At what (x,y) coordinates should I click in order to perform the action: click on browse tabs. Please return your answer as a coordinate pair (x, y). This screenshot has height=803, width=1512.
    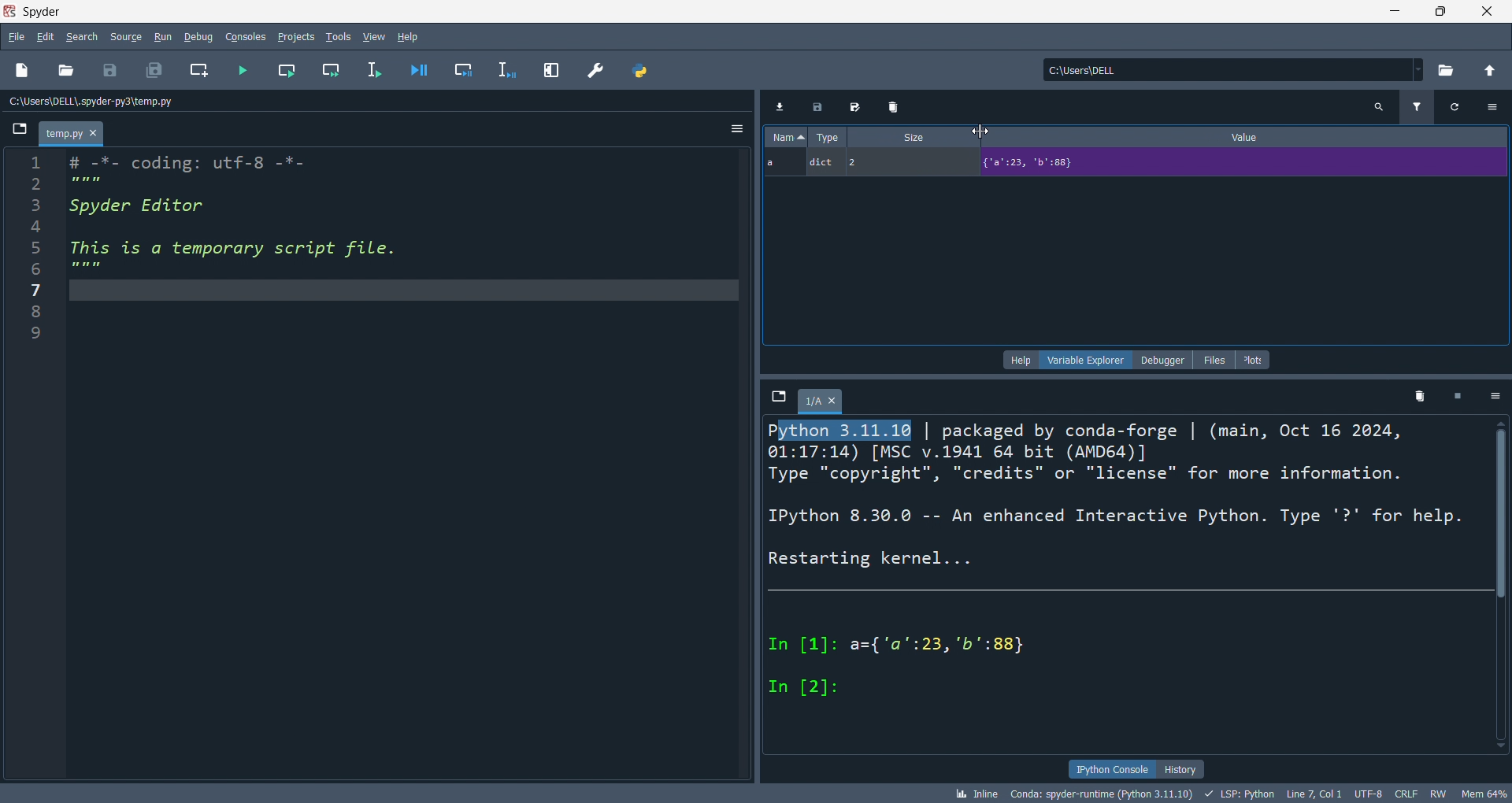
    Looking at the image, I should click on (16, 130).